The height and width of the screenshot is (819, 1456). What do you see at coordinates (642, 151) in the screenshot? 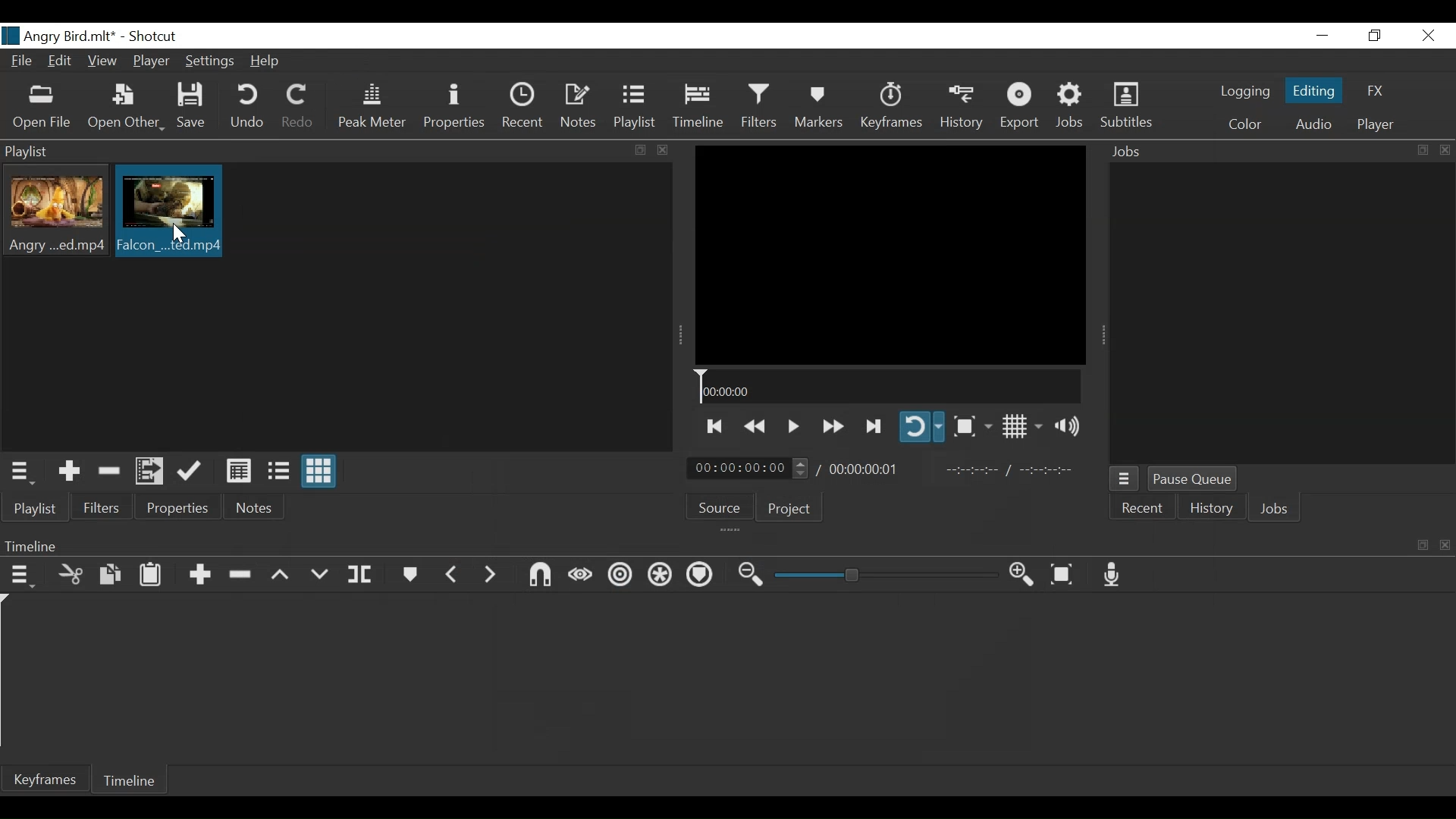
I see `copy` at bounding box center [642, 151].